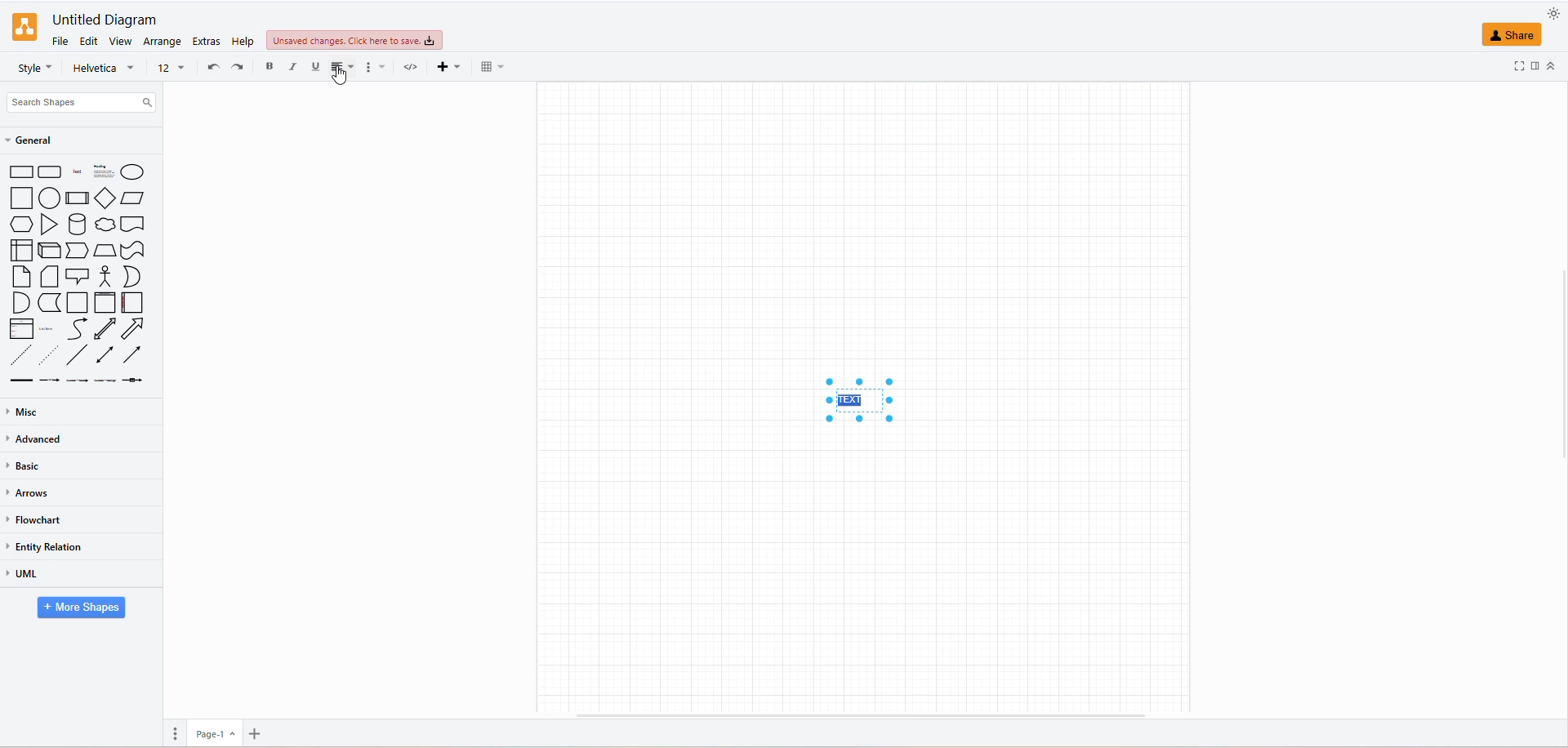 The height and width of the screenshot is (748, 1568). I want to click on entity relation, so click(51, 546).